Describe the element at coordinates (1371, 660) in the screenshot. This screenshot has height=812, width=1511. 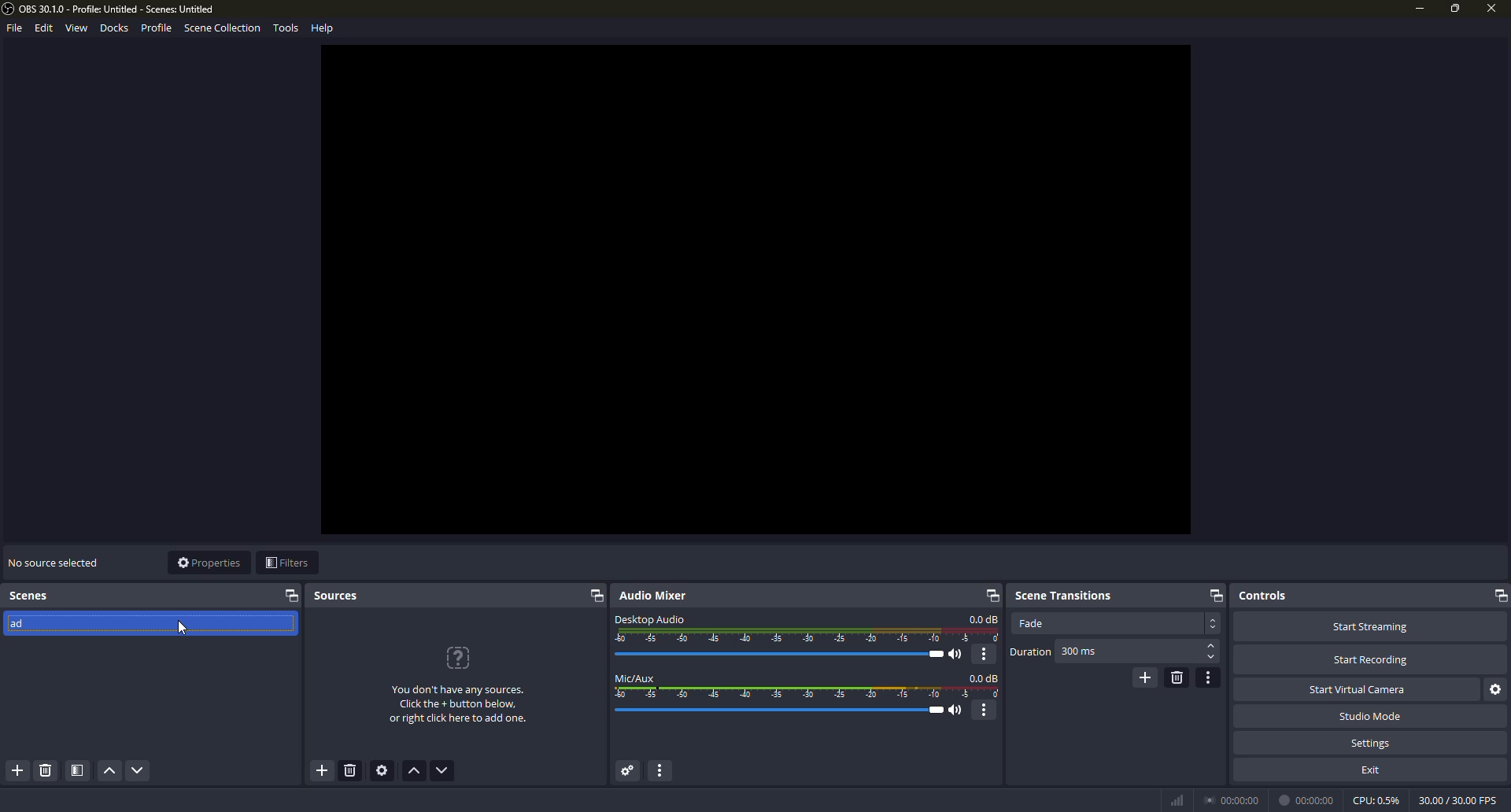
I see `start recording` at that location.